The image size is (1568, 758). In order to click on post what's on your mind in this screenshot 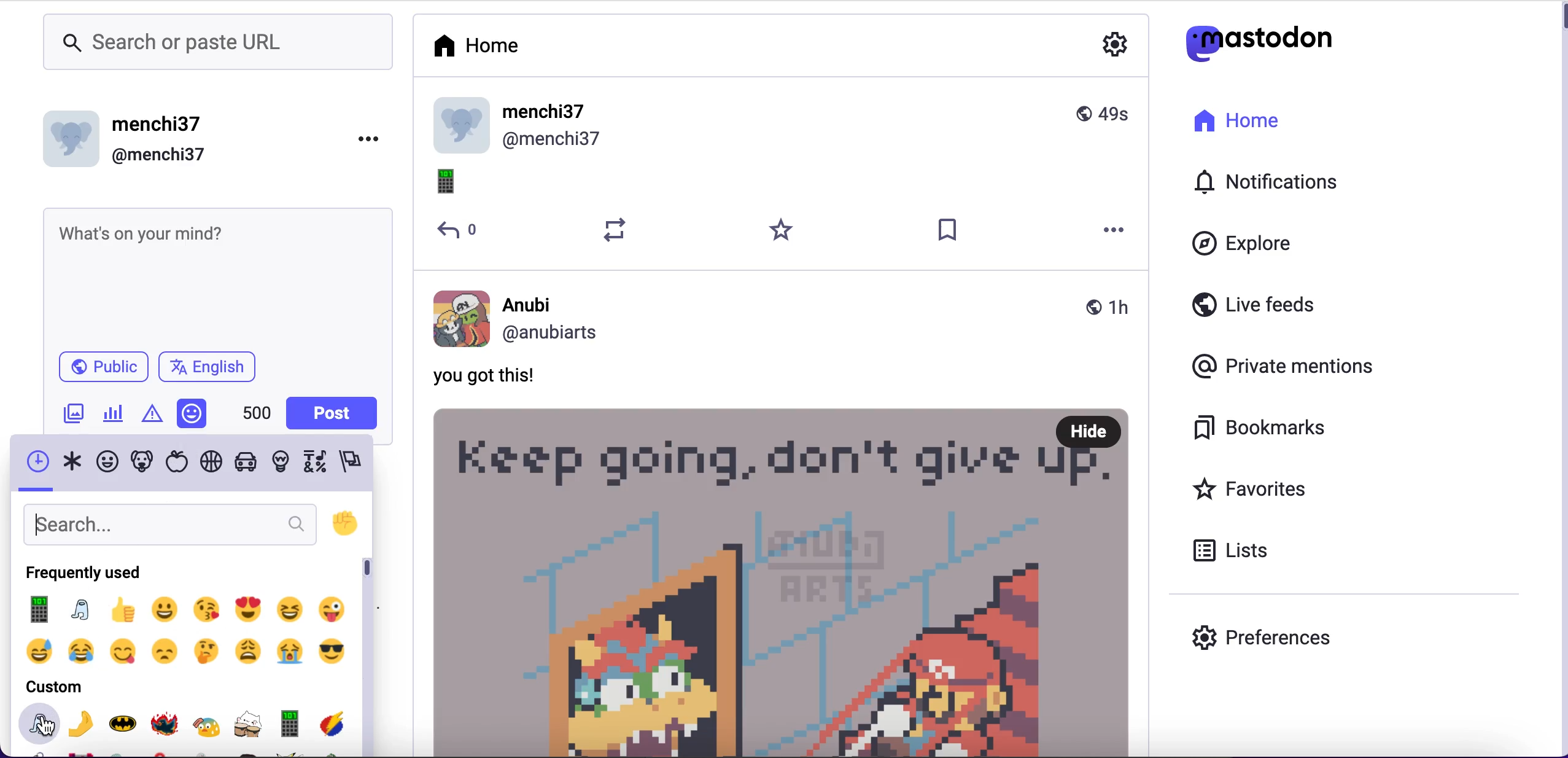, I will do `click(215, 276)`.